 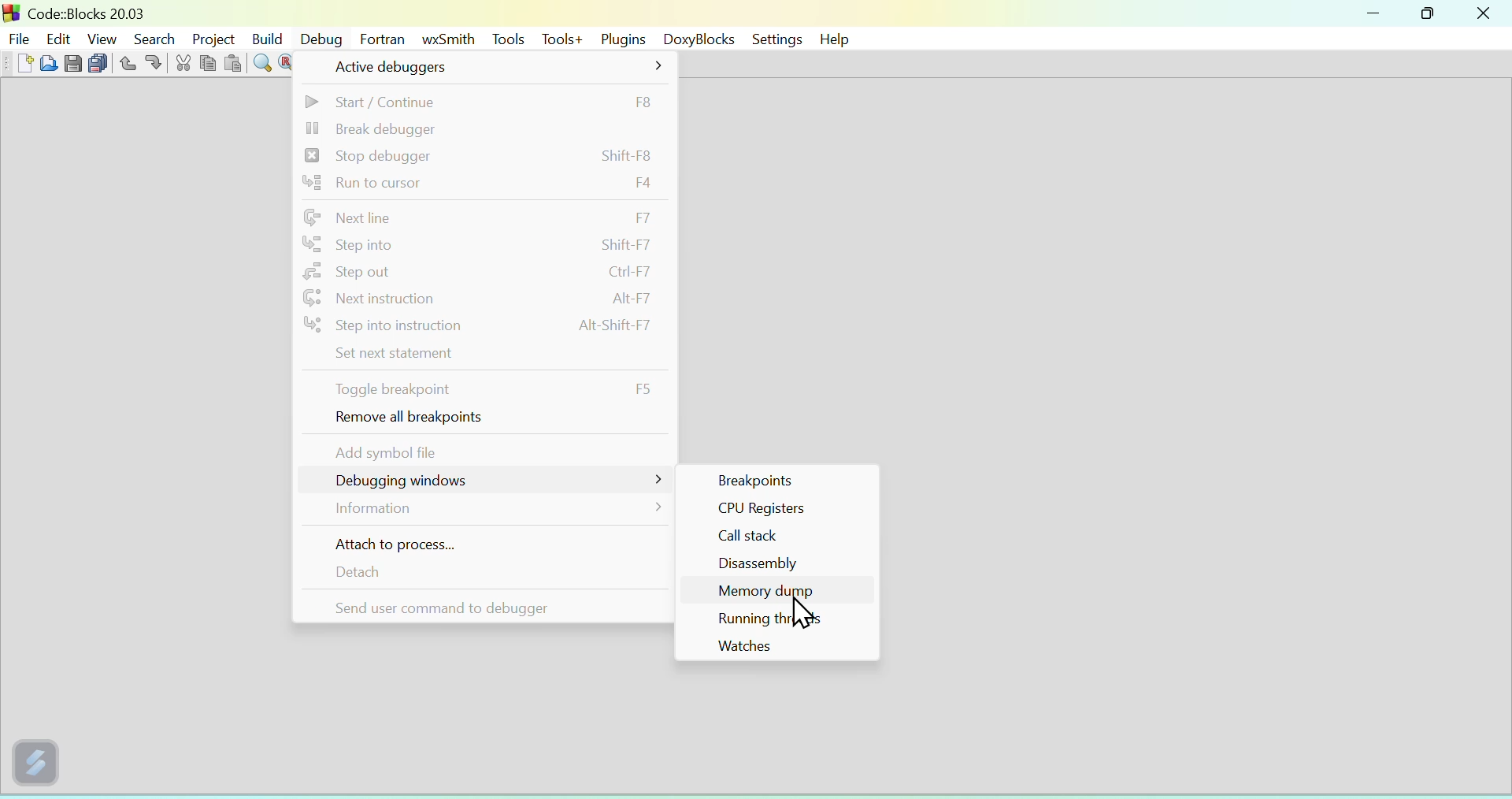 What do you see at coordinates (481, 451) in the screenshot?
I see `add symbol file` at bounding box center [481, 451].